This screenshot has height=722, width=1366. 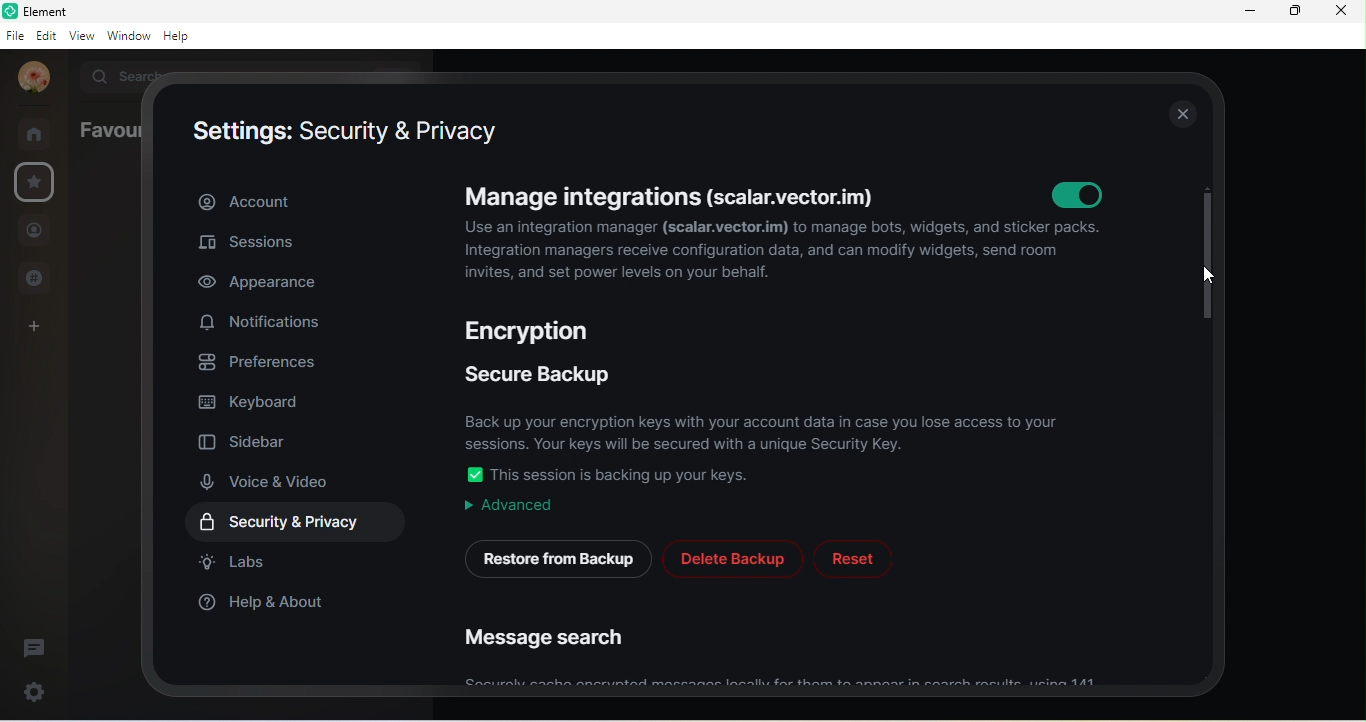 I want to click on threads, so click(x=35, y=646).